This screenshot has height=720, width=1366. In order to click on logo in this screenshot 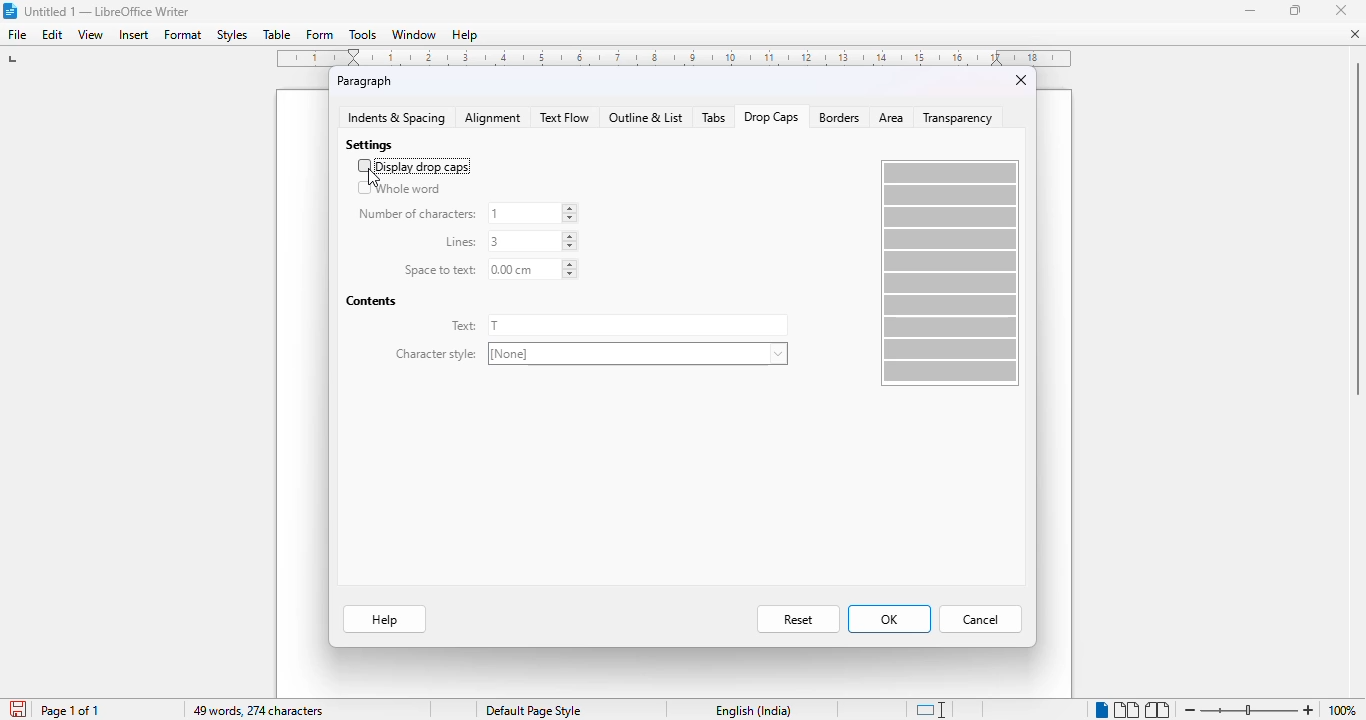, I will do `click(10, 11)`.